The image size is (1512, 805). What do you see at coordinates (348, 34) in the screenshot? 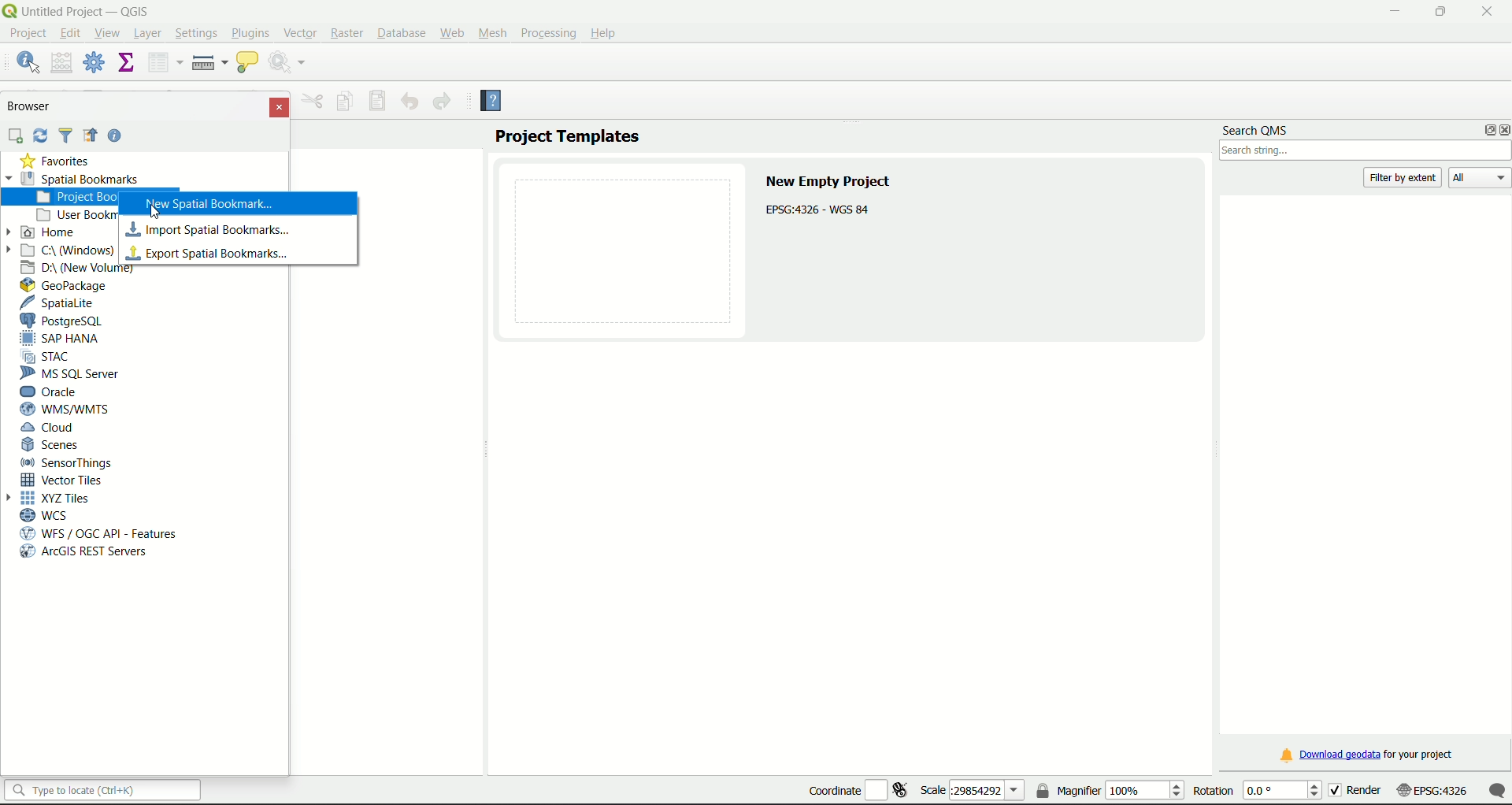
I see `Raster` at bounding box center [348, 34].